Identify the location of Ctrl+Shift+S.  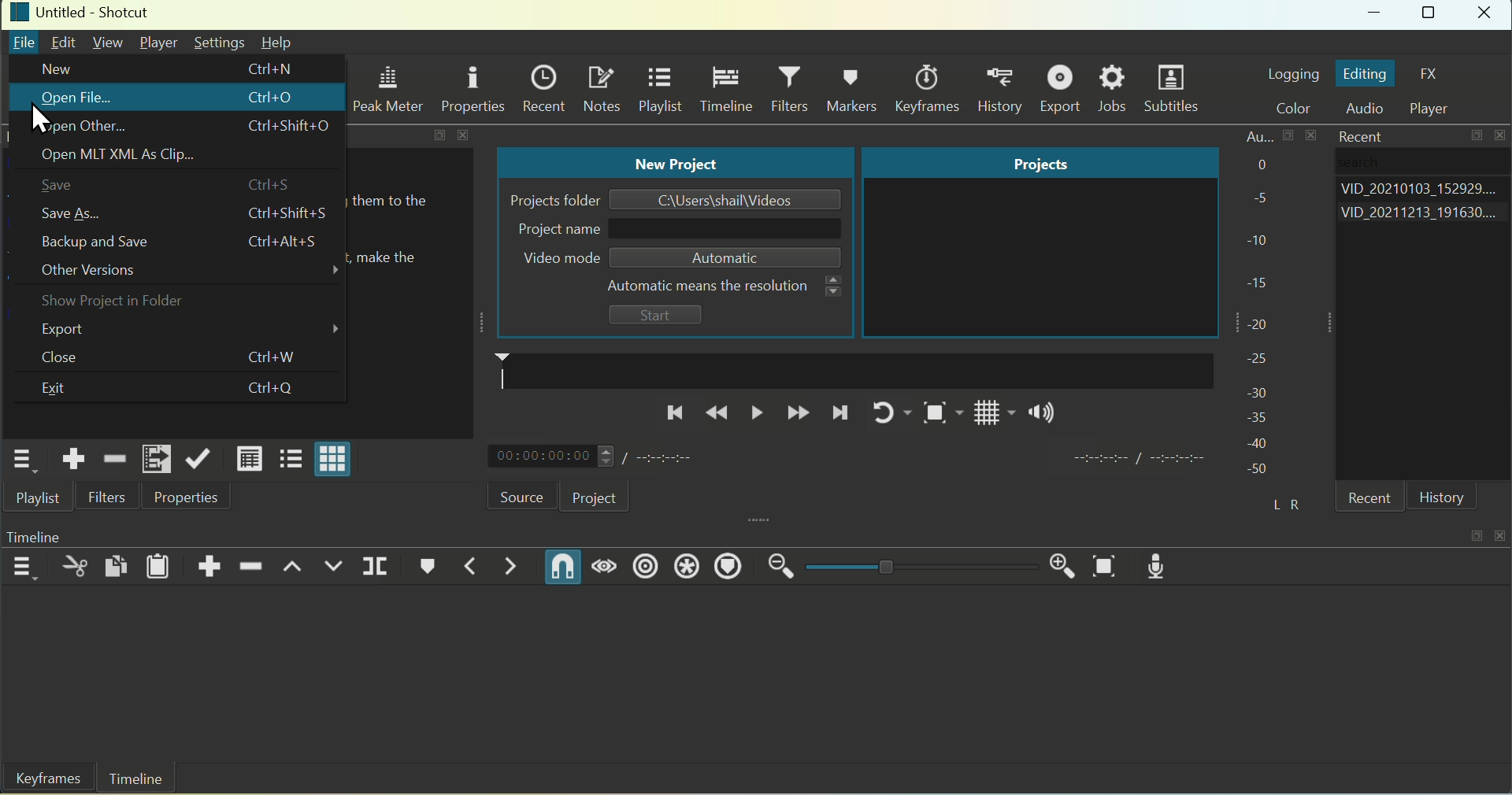
(287, 213).